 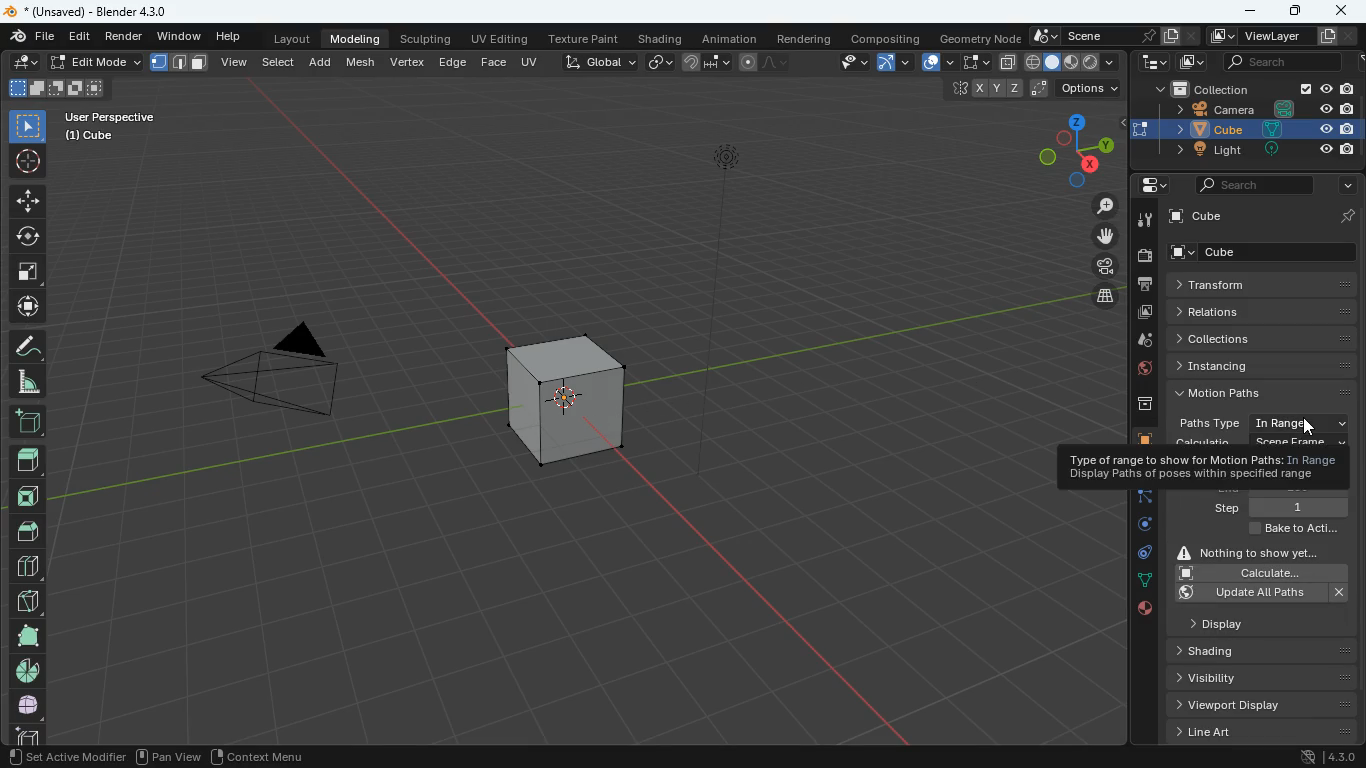 What do you see at coordinates (28, 270) in the screenshot?
I see `fullscreen` at bounding box center [28, 270].